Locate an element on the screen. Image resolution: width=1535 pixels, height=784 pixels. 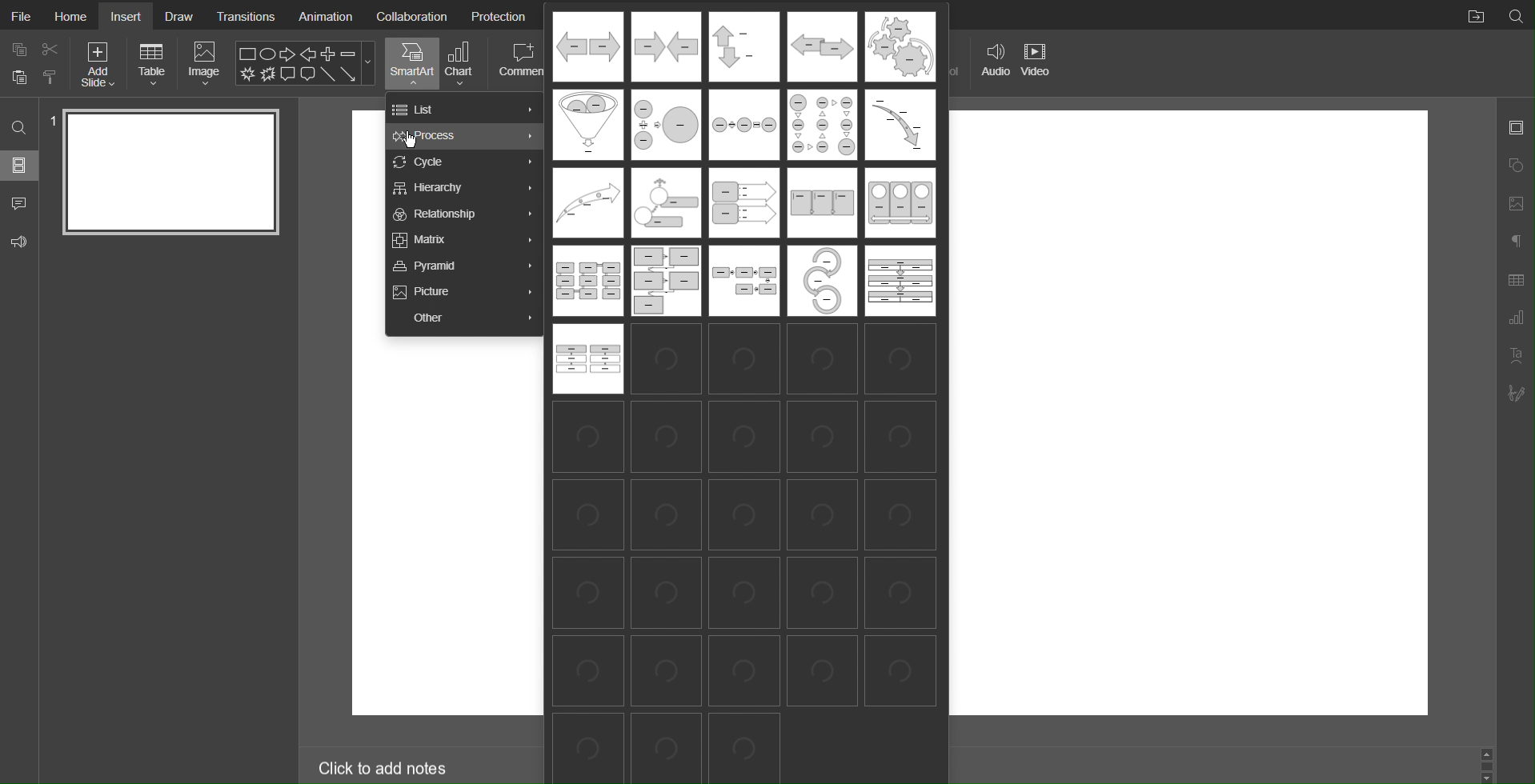
paste is located at coordinates (18, 78).